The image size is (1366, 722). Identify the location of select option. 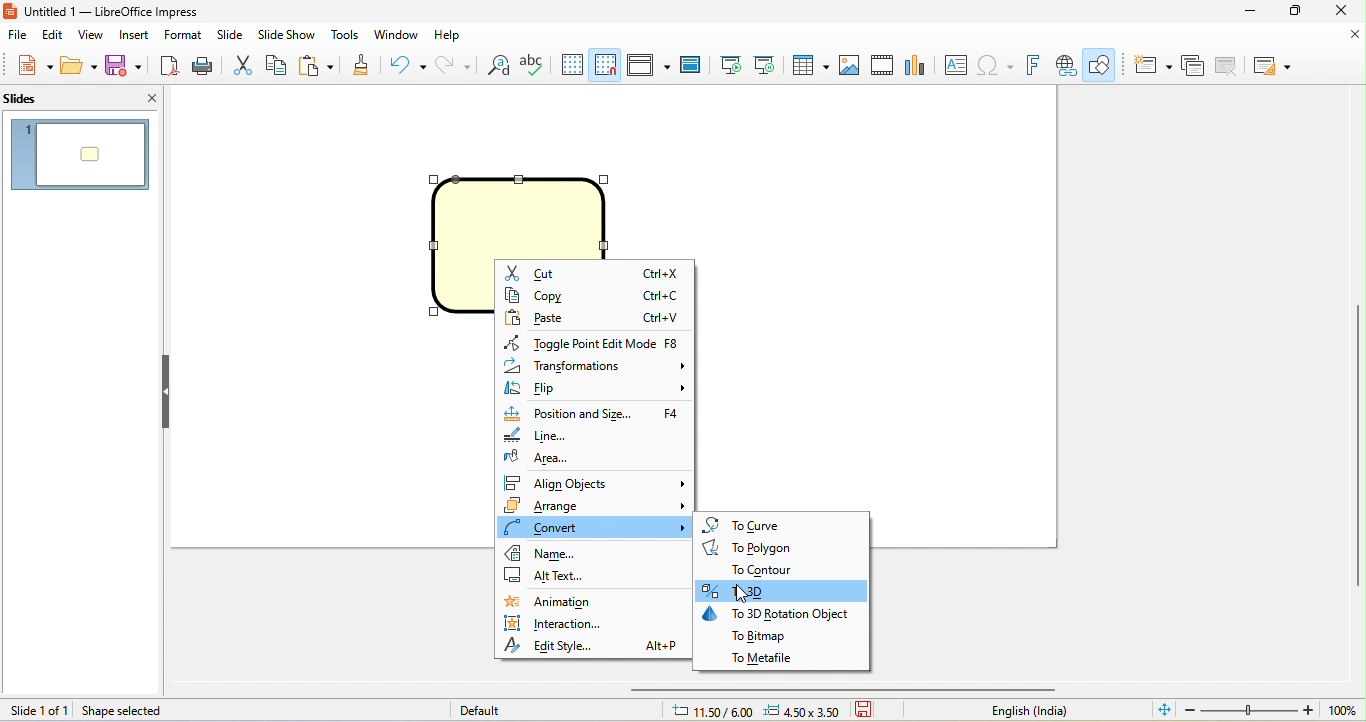
(783, 593).